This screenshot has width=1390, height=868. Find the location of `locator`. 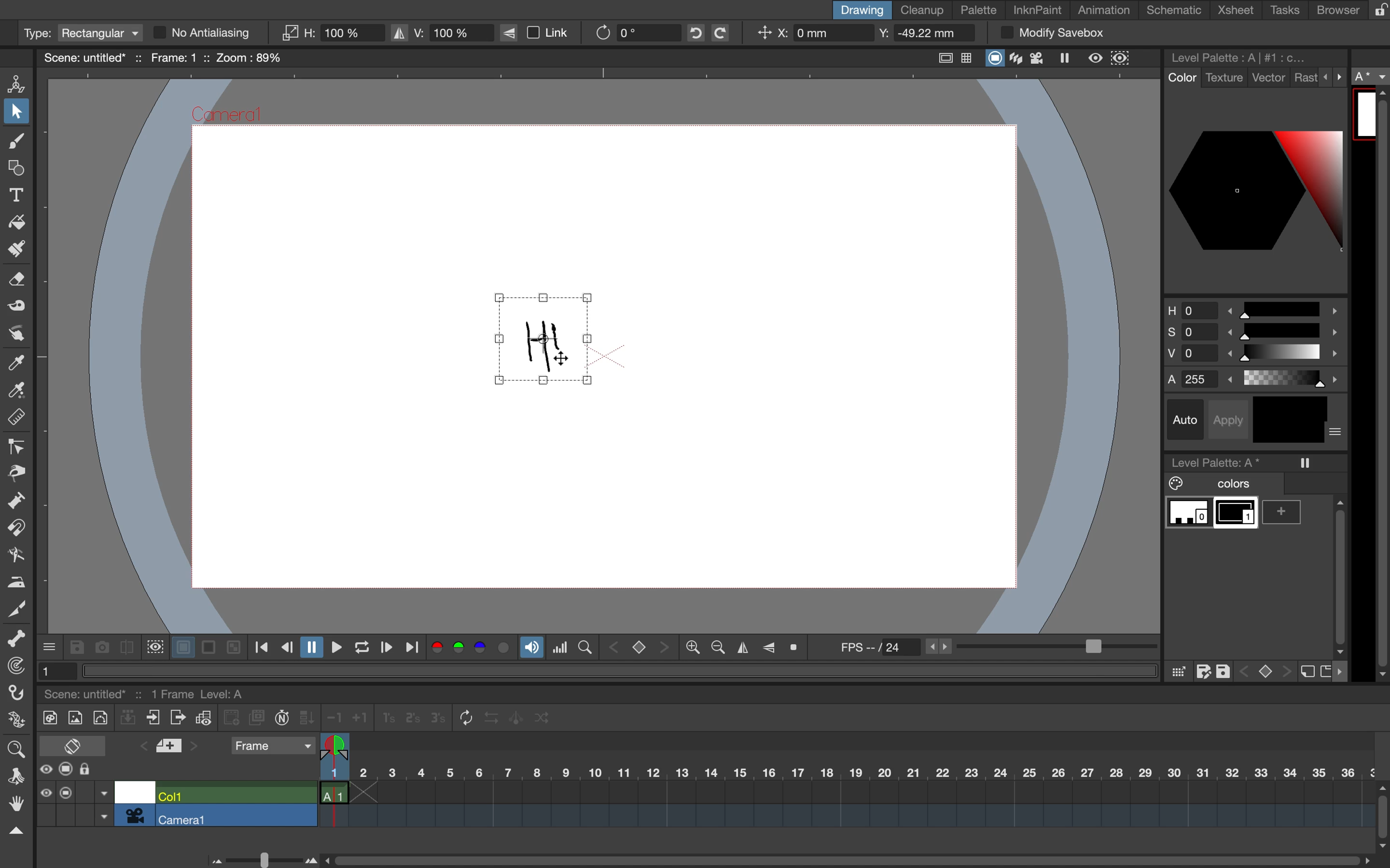

locator is located at coordinates (585, 646).